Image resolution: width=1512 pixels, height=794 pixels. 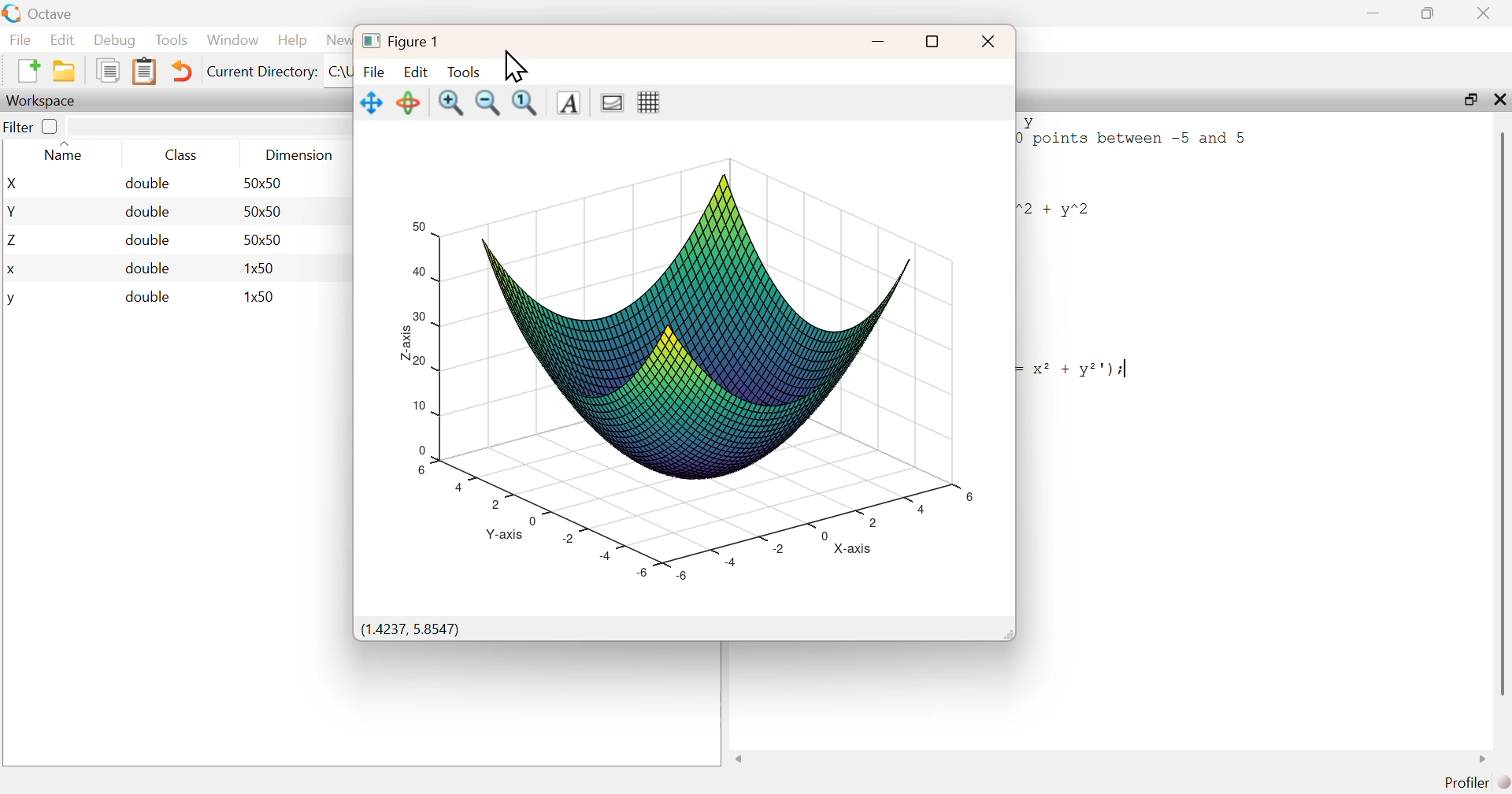 I want to click on Help, so click(x=292, y=39).